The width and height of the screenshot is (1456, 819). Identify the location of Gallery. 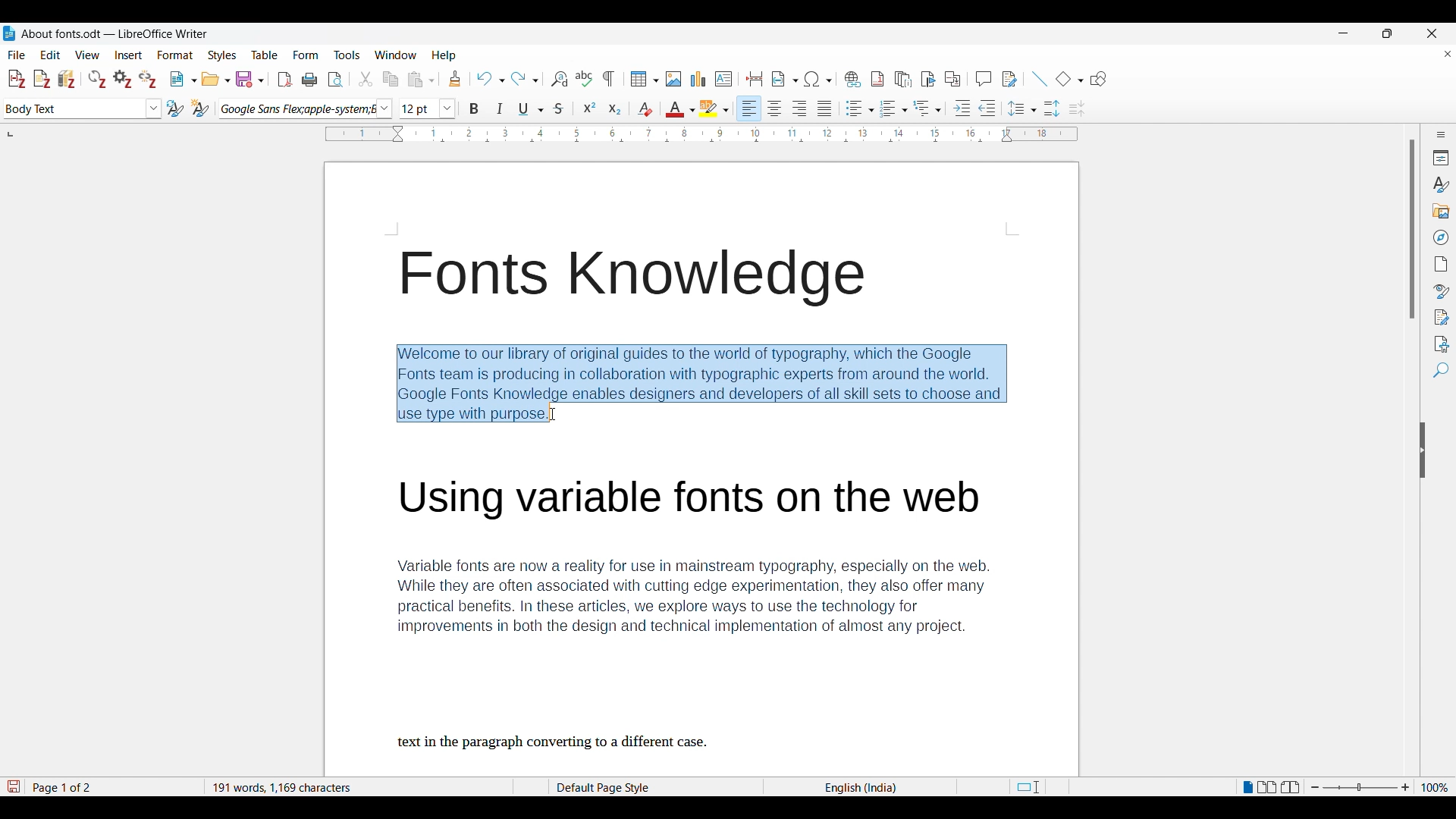
(1442, 212).